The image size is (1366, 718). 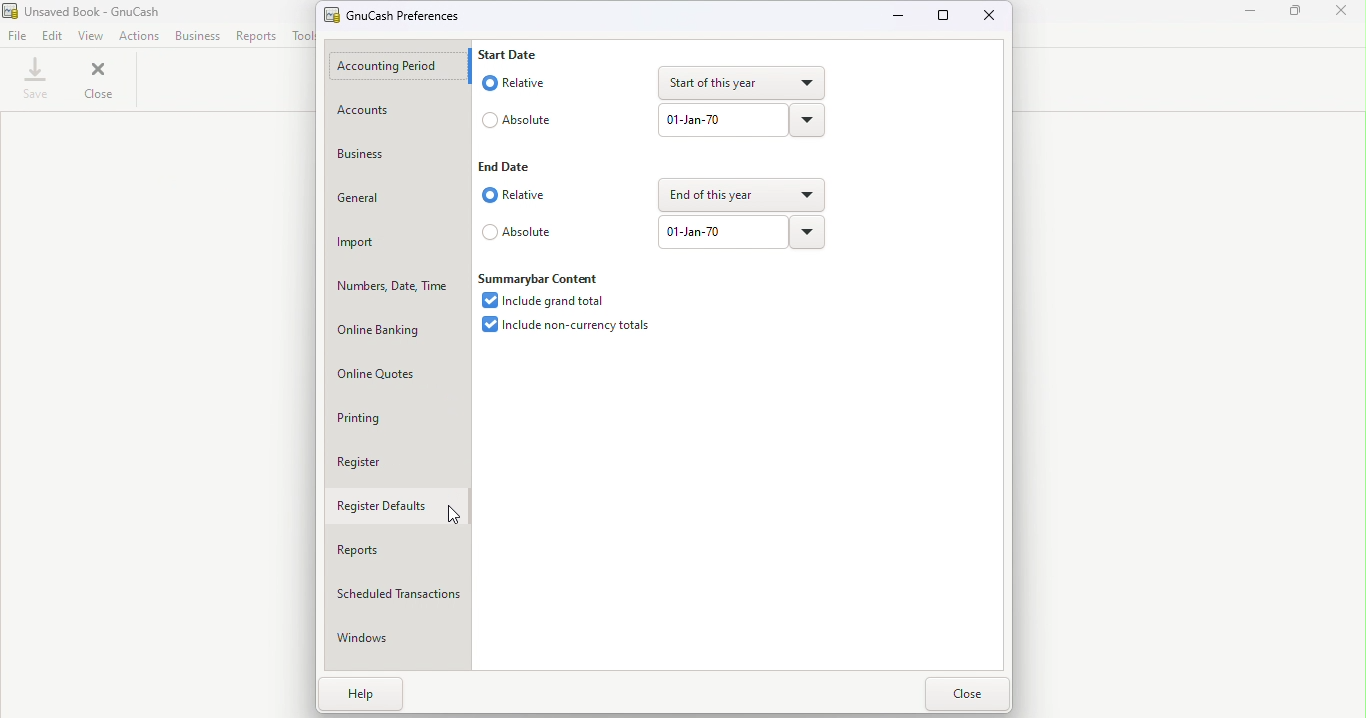 What do you see at coordinates (395, 284) in the screenshot?
I see `Numbers, Date, Time` at bounding box center [395, 284].